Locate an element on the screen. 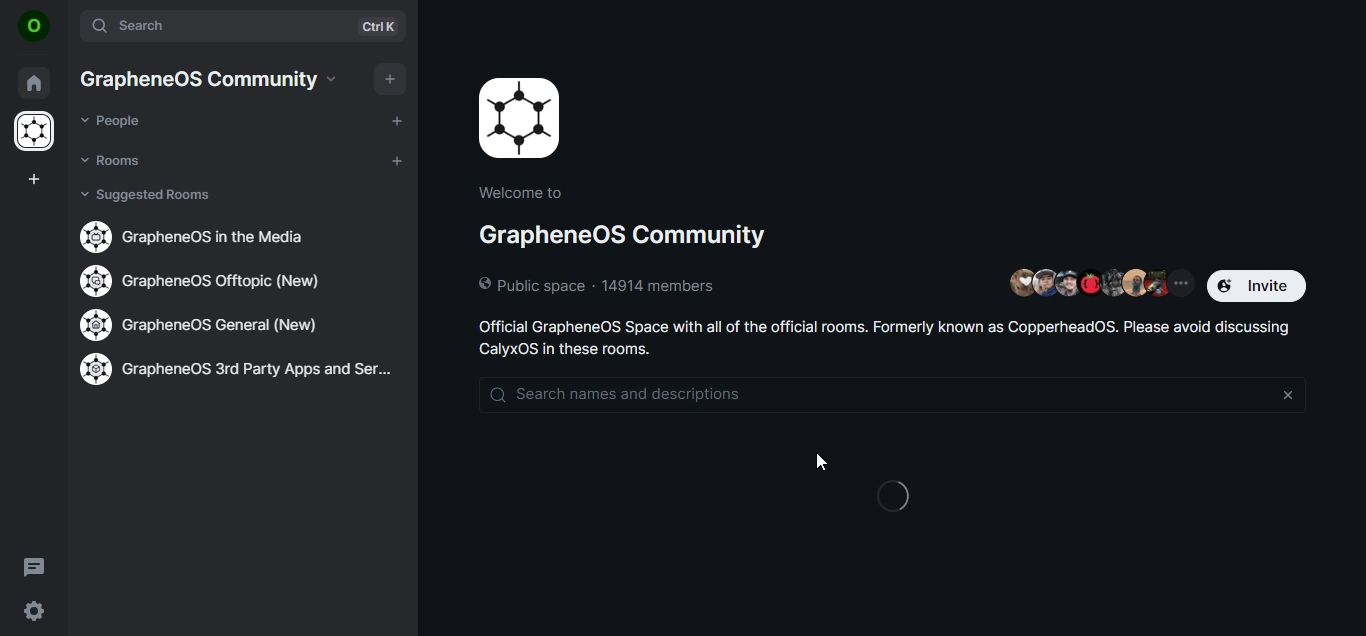 The width and height of the screenshot is (1366, 636). create a space is located at coordinates (38, 177).